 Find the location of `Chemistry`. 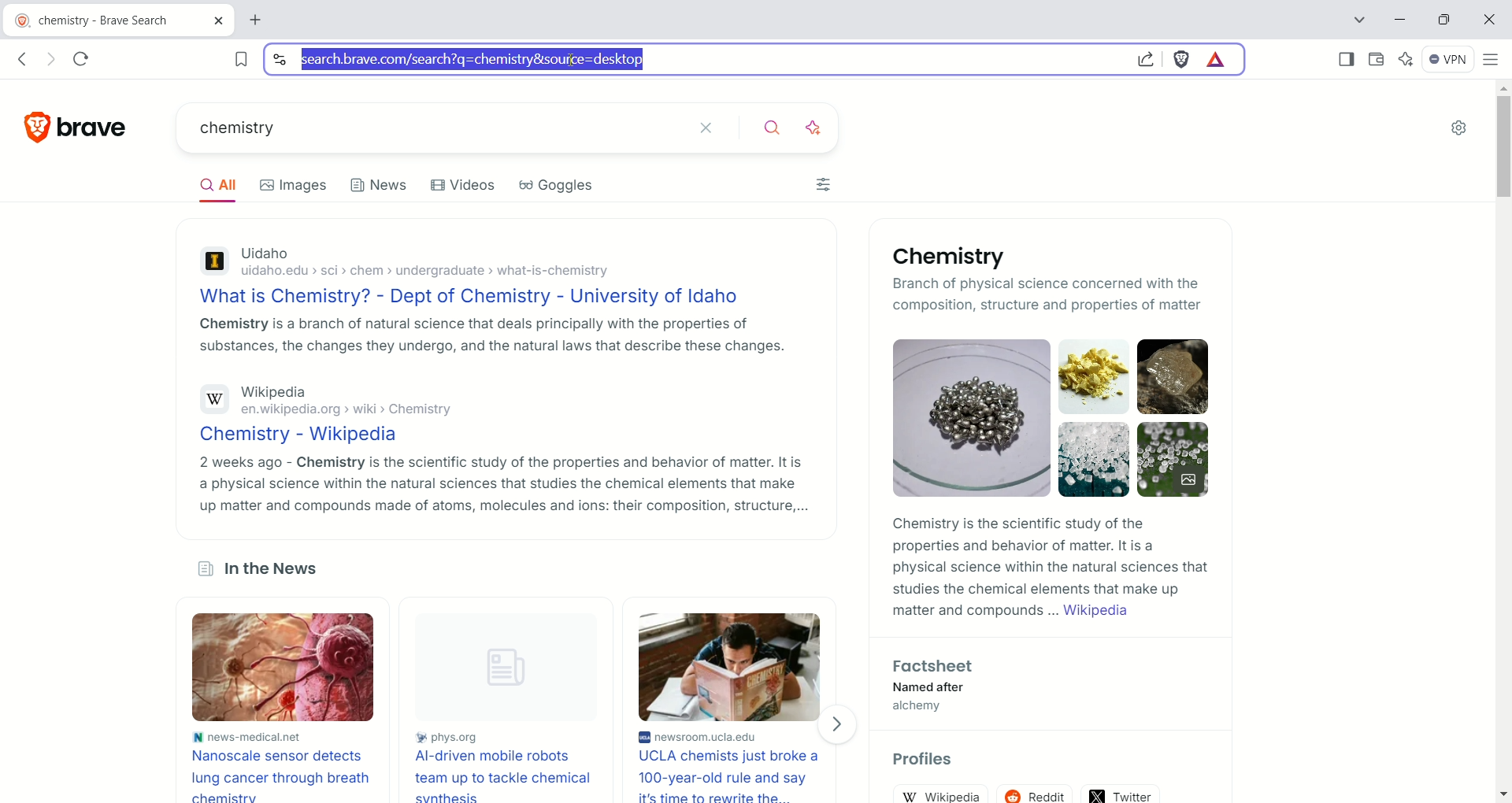

Chemistry is located at coordinates (955, 257).